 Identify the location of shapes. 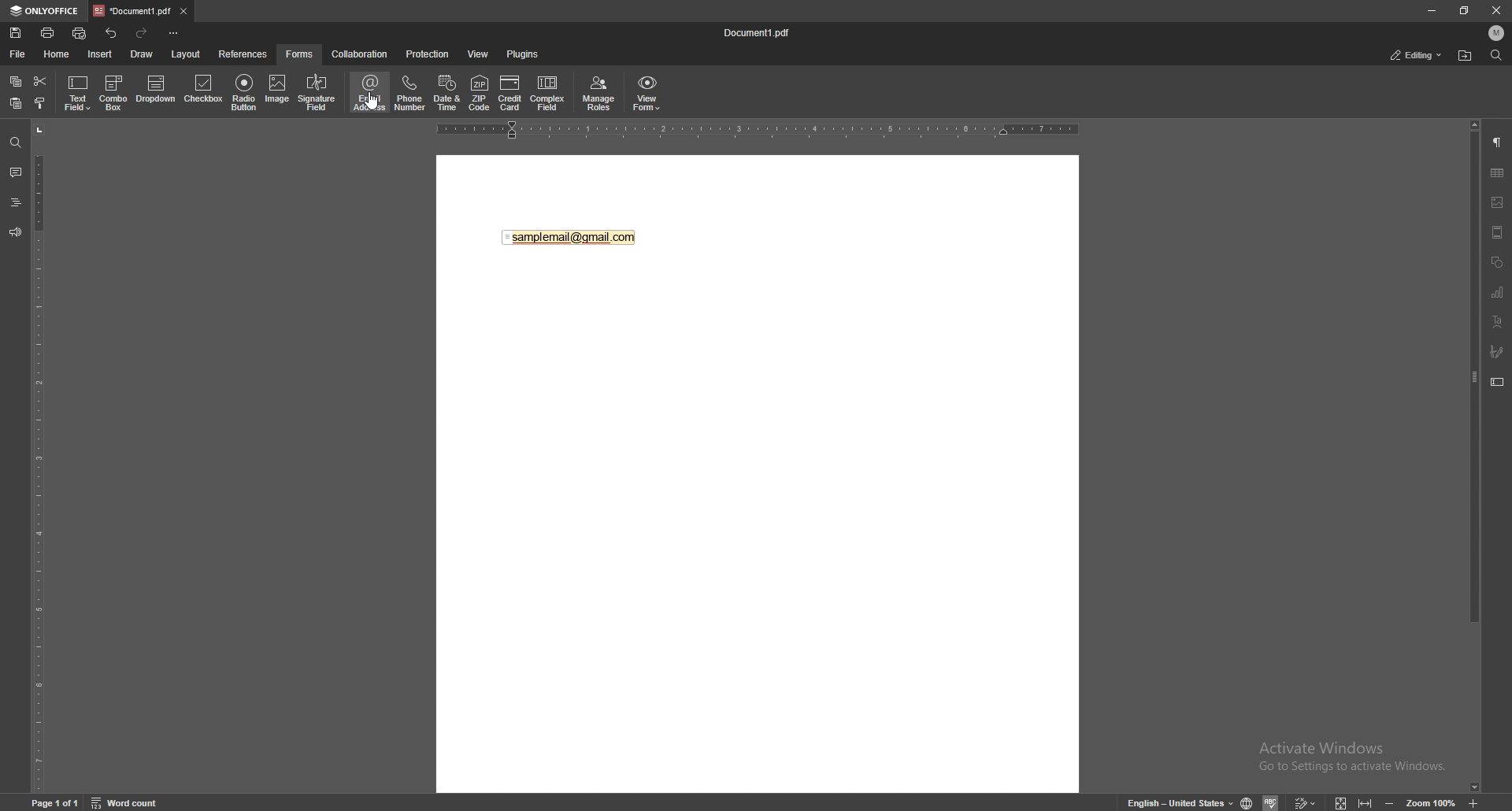
(1497, 261).